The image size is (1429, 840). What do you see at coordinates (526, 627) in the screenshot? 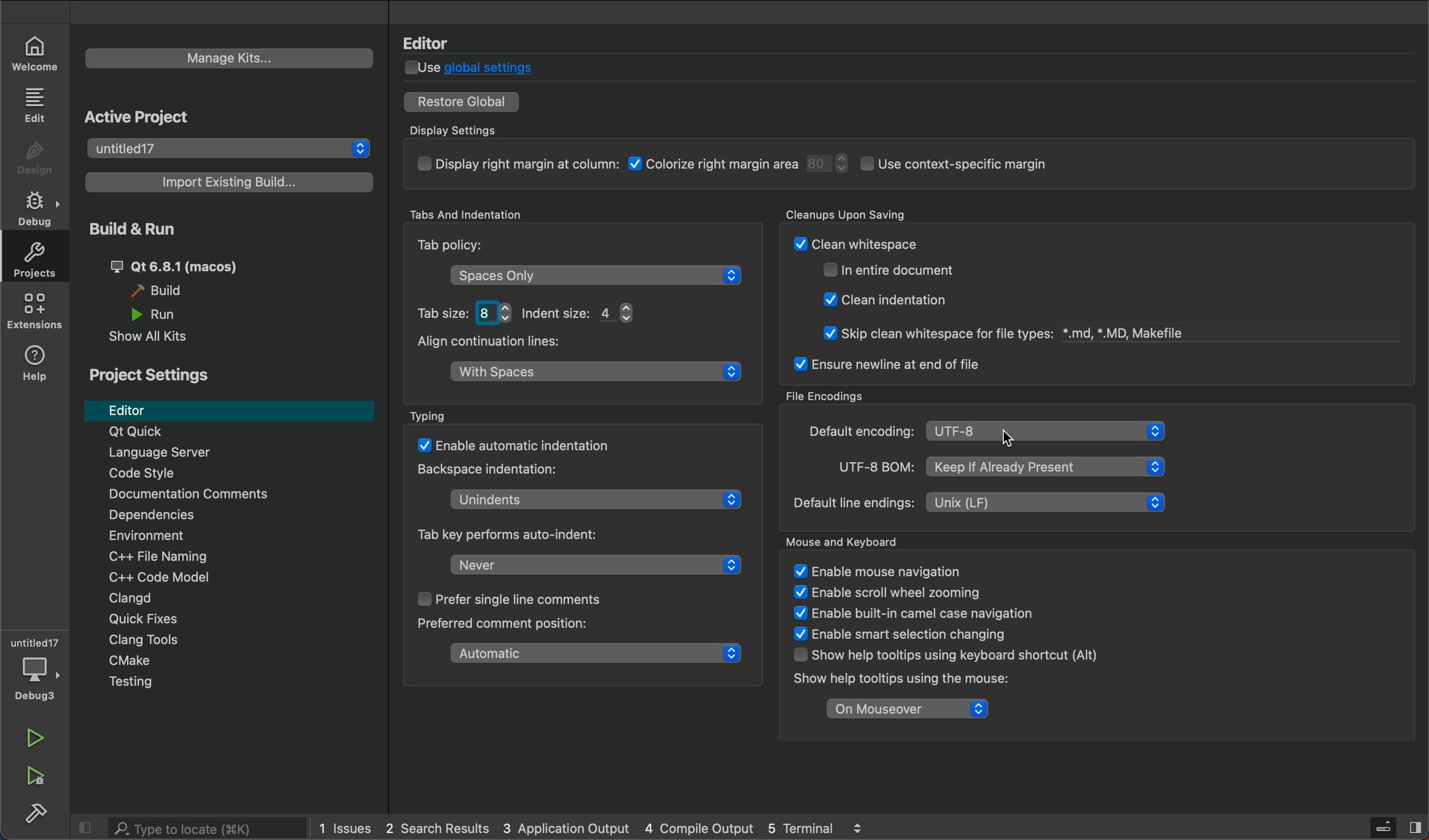
I see `Preferred comment position` at bounding box center [526, 627].